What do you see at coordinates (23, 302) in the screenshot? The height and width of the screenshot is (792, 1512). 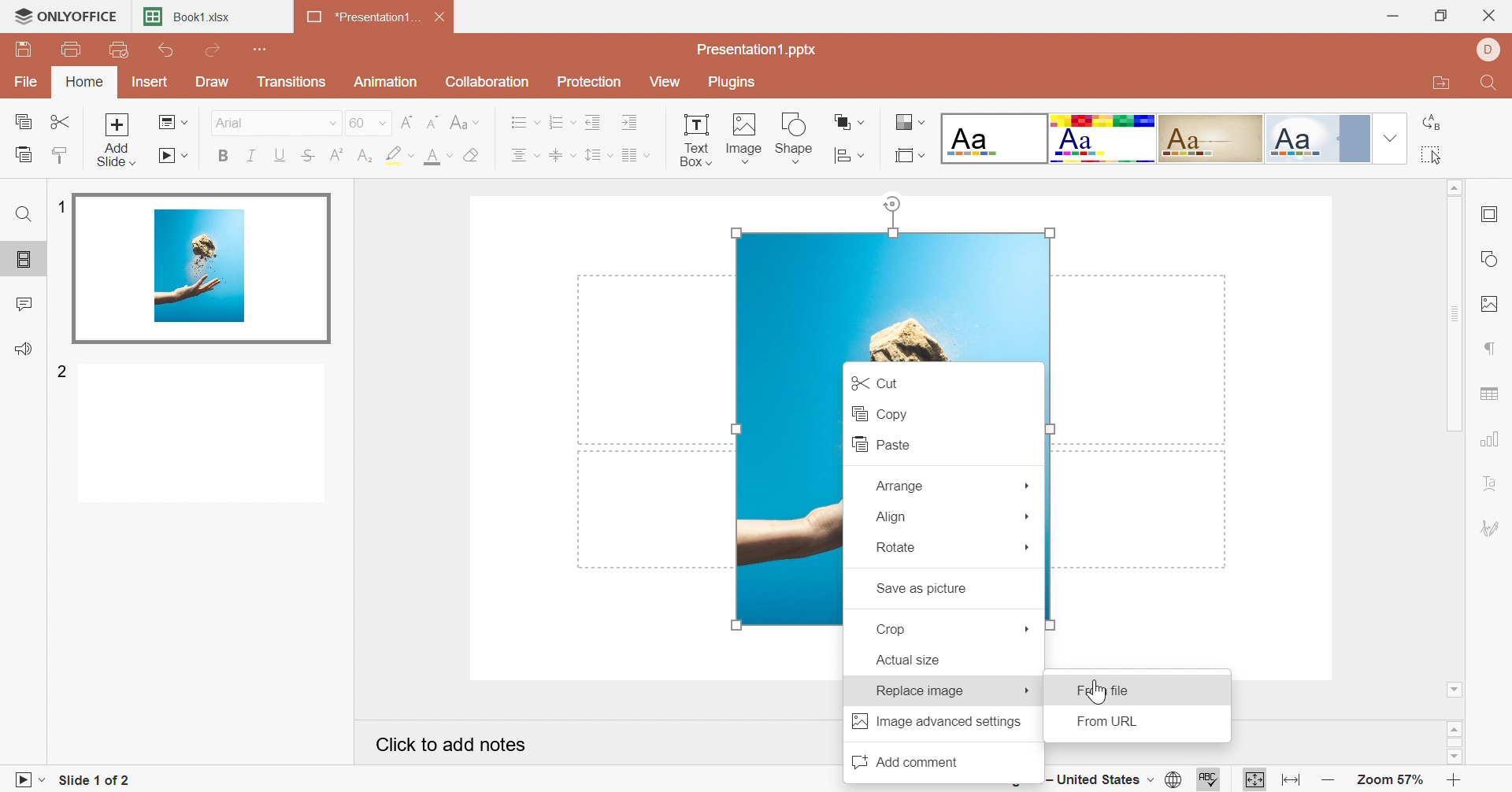 I see `Comments` at bounding box center [23, 302].